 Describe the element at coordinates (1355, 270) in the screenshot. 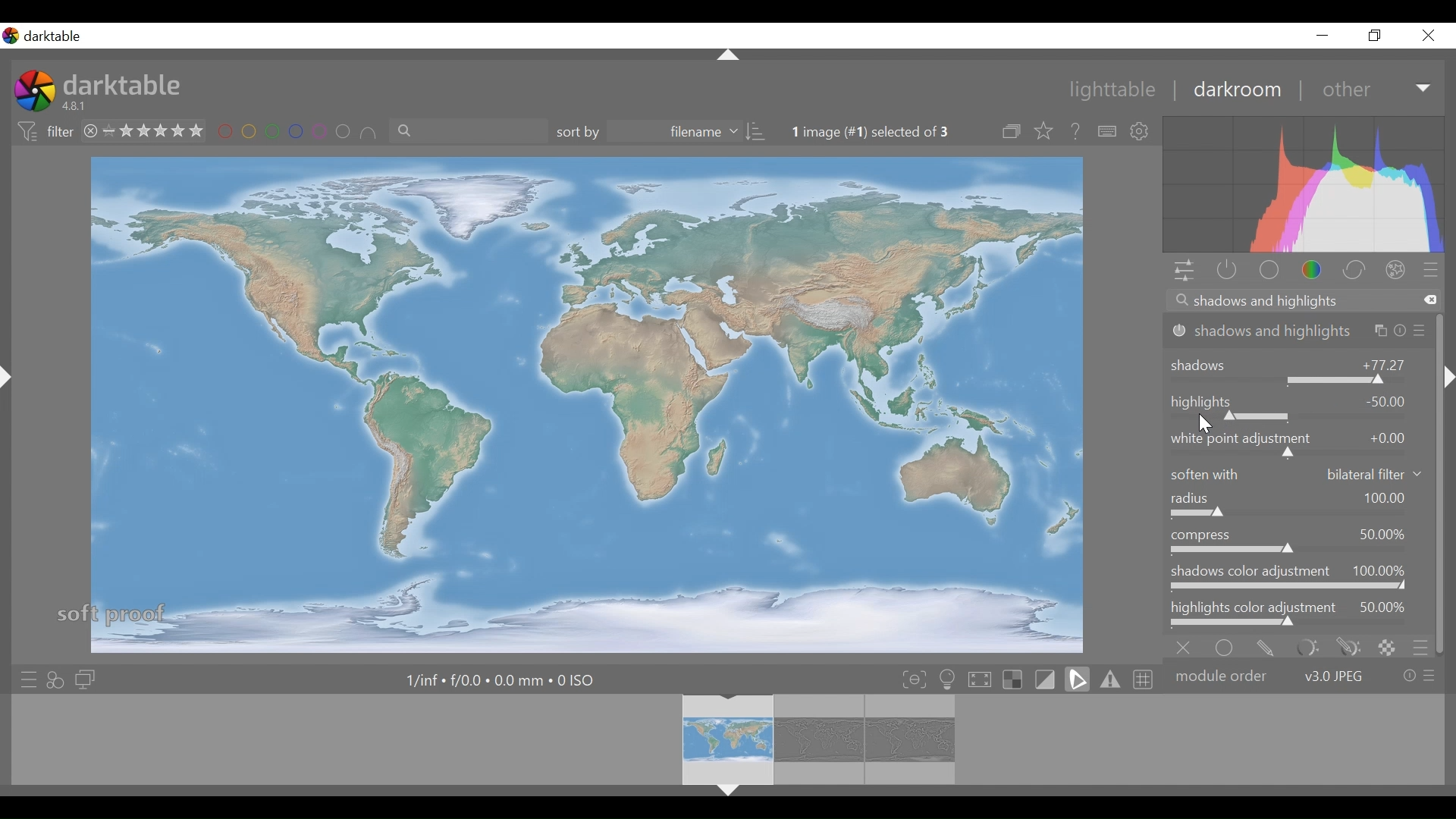

I see `correct` at that location.